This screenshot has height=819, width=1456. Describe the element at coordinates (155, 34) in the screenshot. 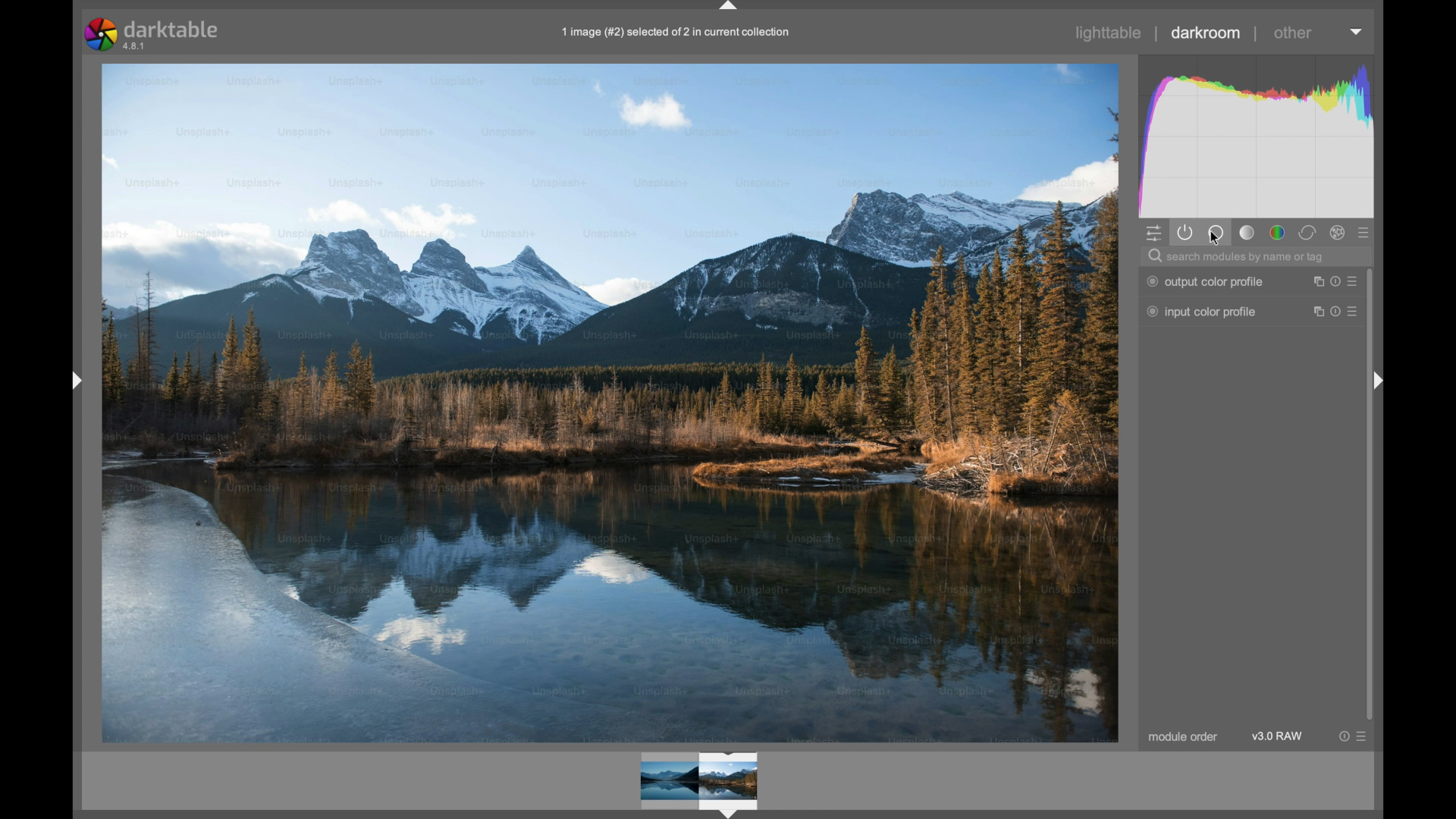

I see `darktable 4.8.1` at that location.